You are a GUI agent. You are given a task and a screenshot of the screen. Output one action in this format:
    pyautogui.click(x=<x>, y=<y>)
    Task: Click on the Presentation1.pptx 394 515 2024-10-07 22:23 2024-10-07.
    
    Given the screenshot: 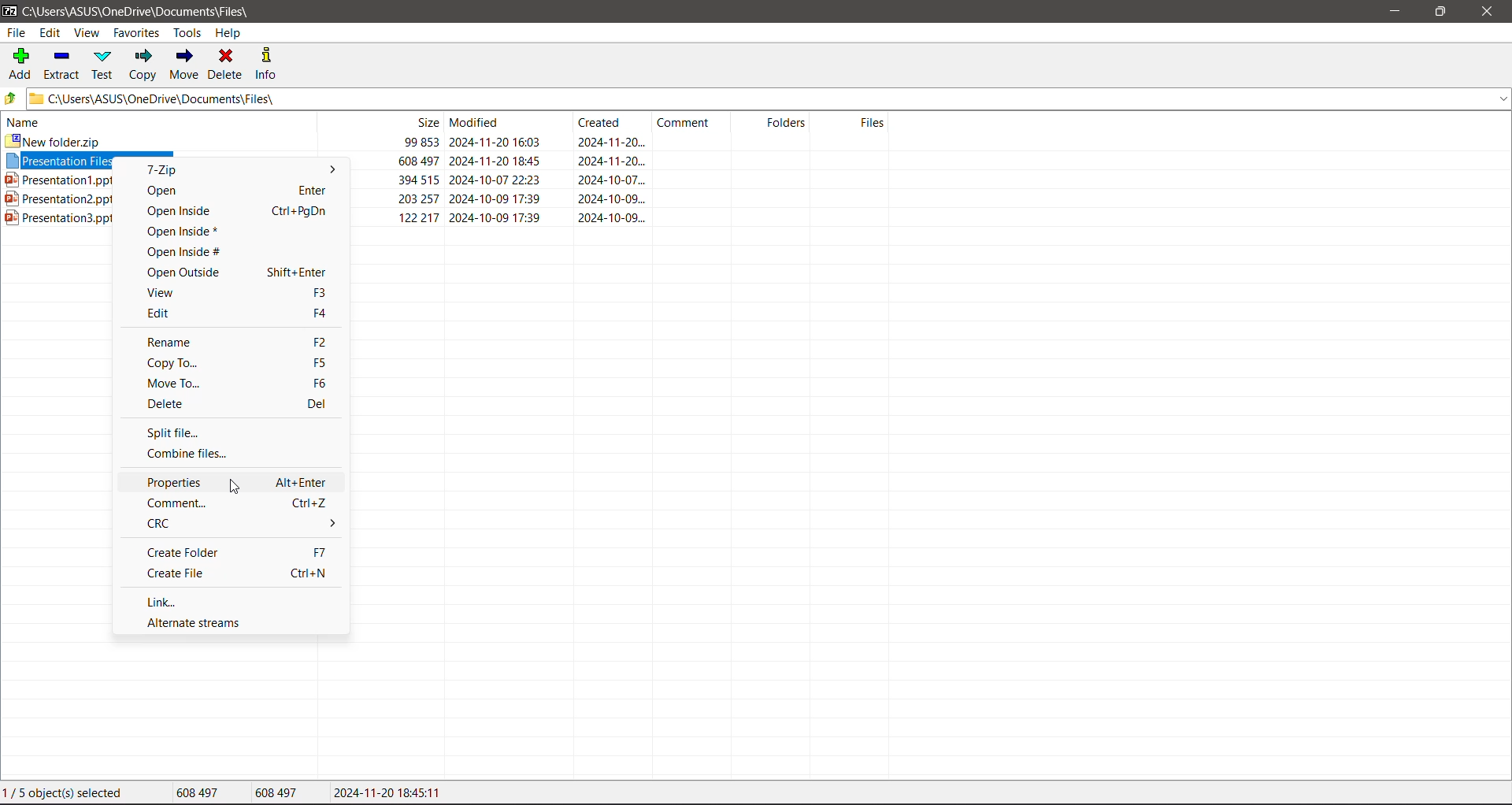 What is the action you would take?
    pyautogui.click(x=57, y=178)
    